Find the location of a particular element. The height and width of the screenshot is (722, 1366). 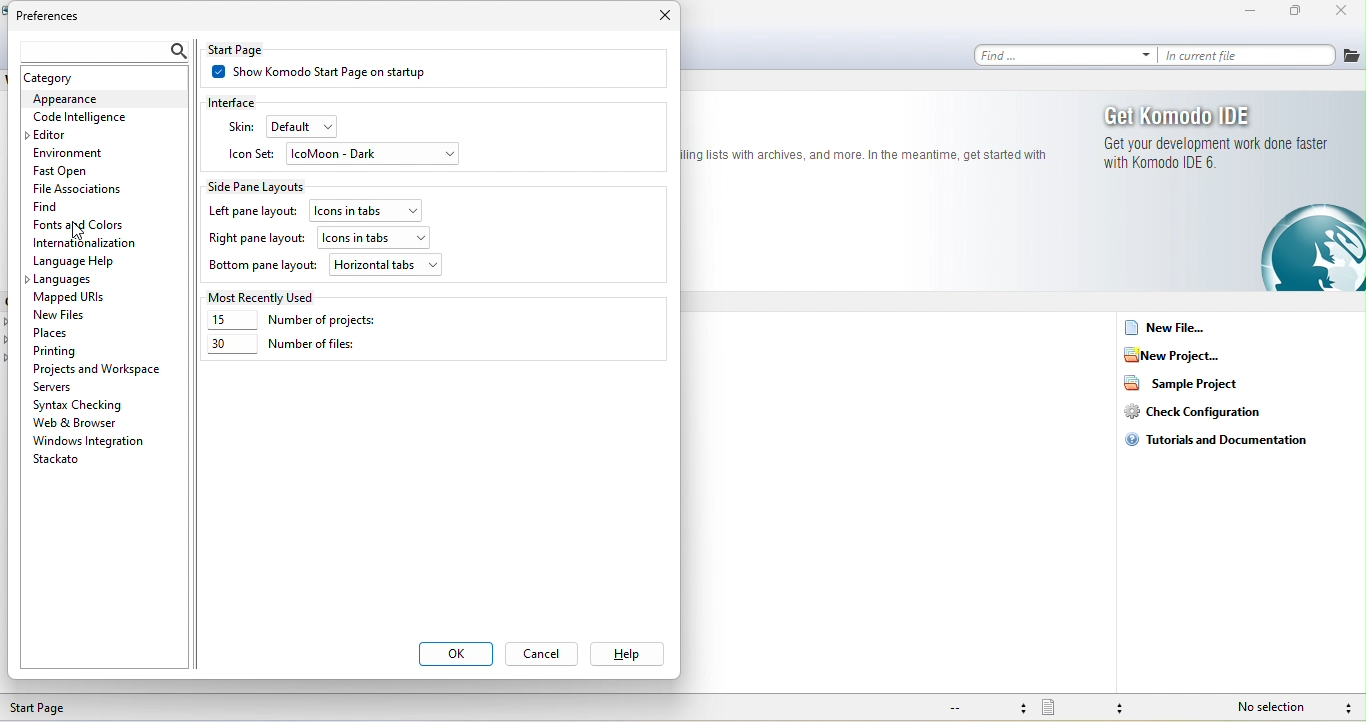

text is located at coordinates (868, 155).